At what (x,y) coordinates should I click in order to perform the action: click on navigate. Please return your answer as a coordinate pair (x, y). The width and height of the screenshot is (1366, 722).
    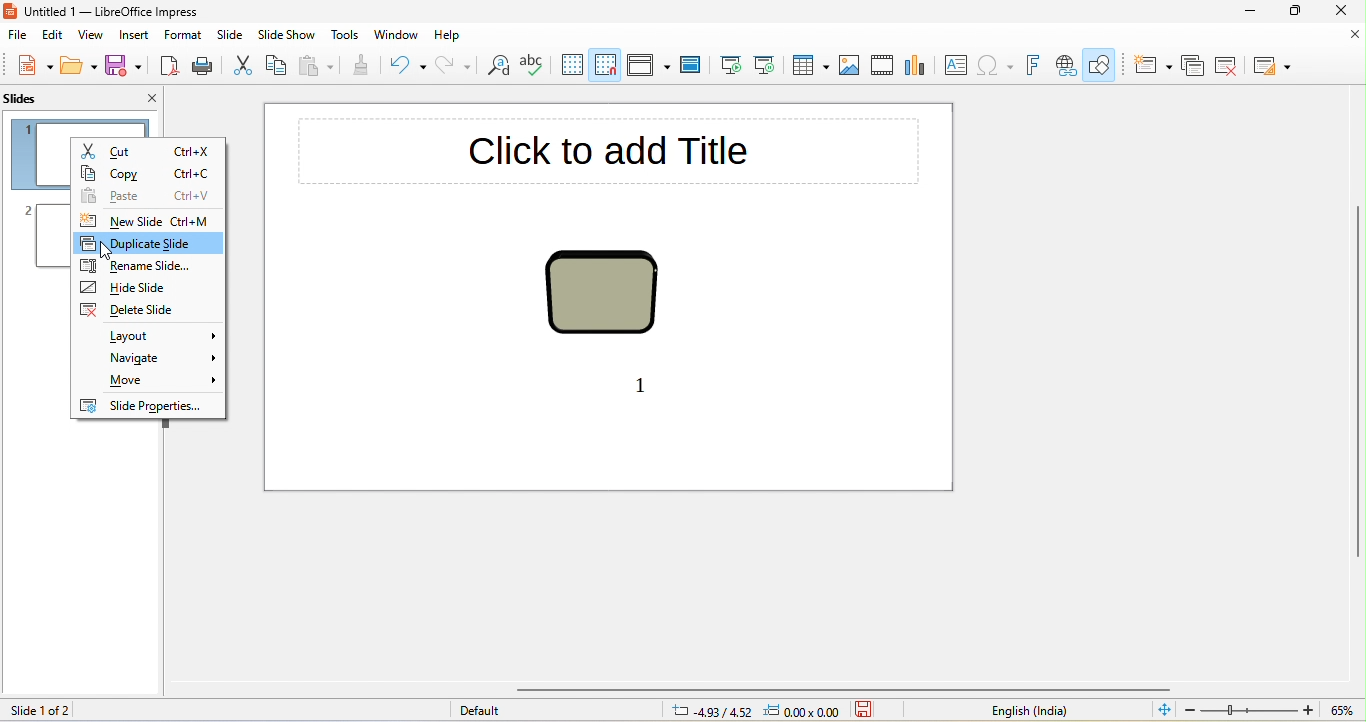
    Looking at the image, I should click on (148, 358).